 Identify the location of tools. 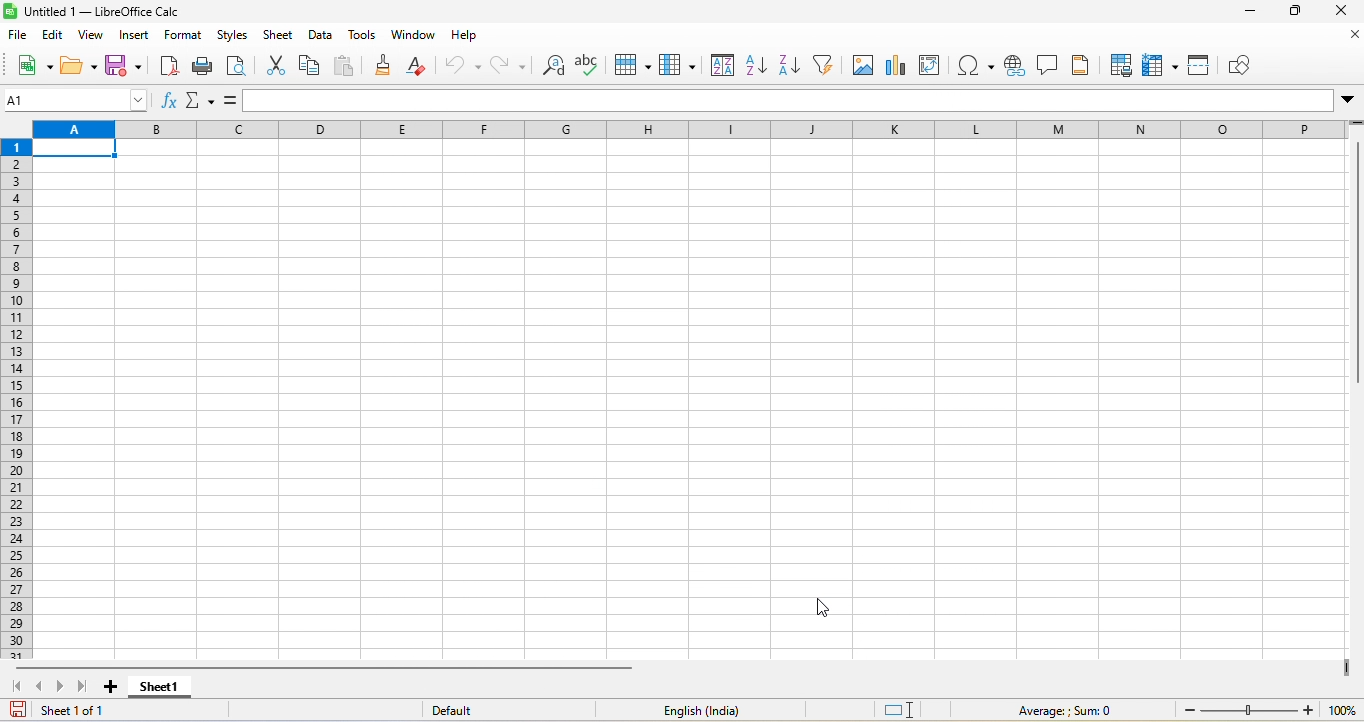
(359, 38).